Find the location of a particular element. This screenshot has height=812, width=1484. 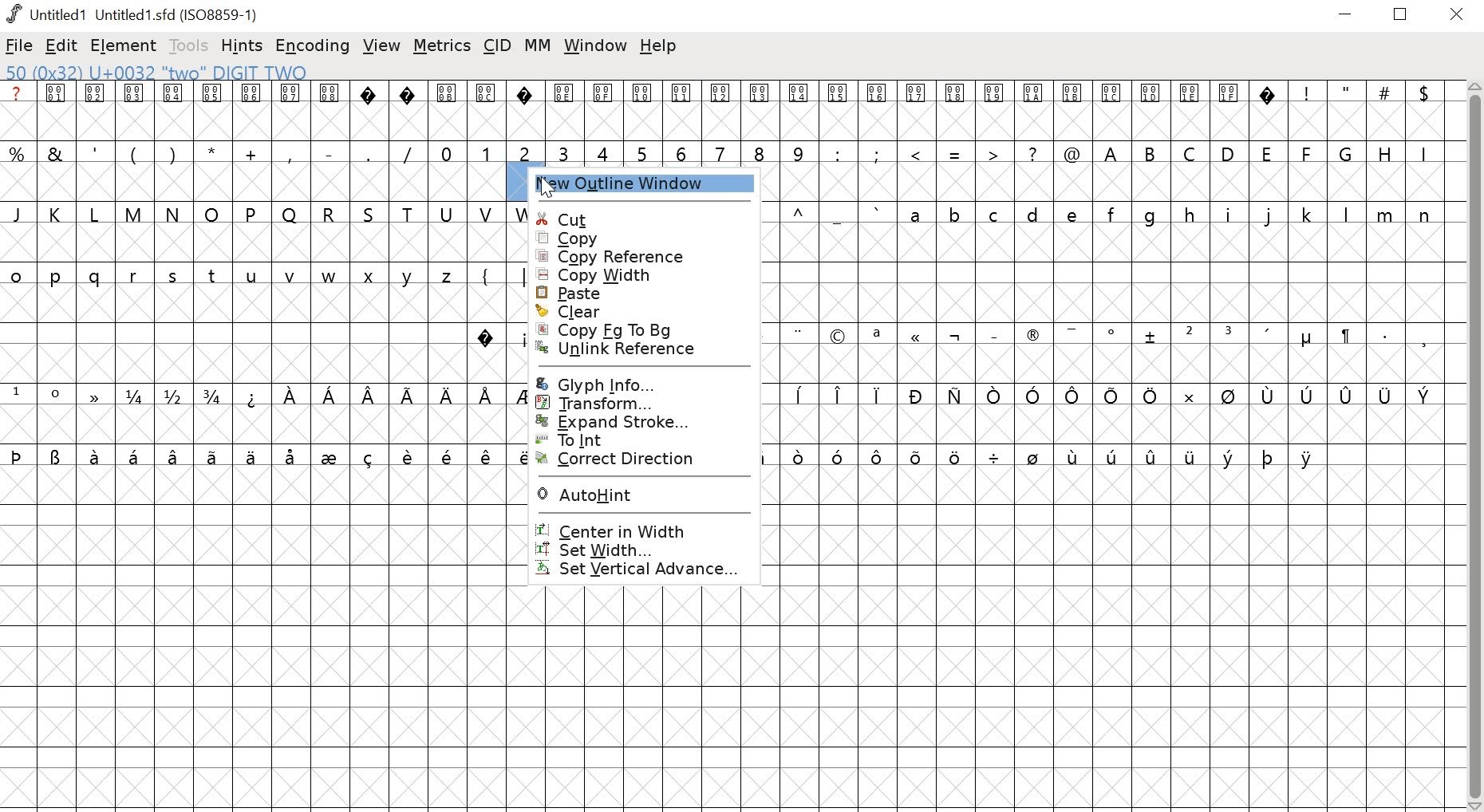

CORRECT DIRECTION is located at coordinates (638, 459).